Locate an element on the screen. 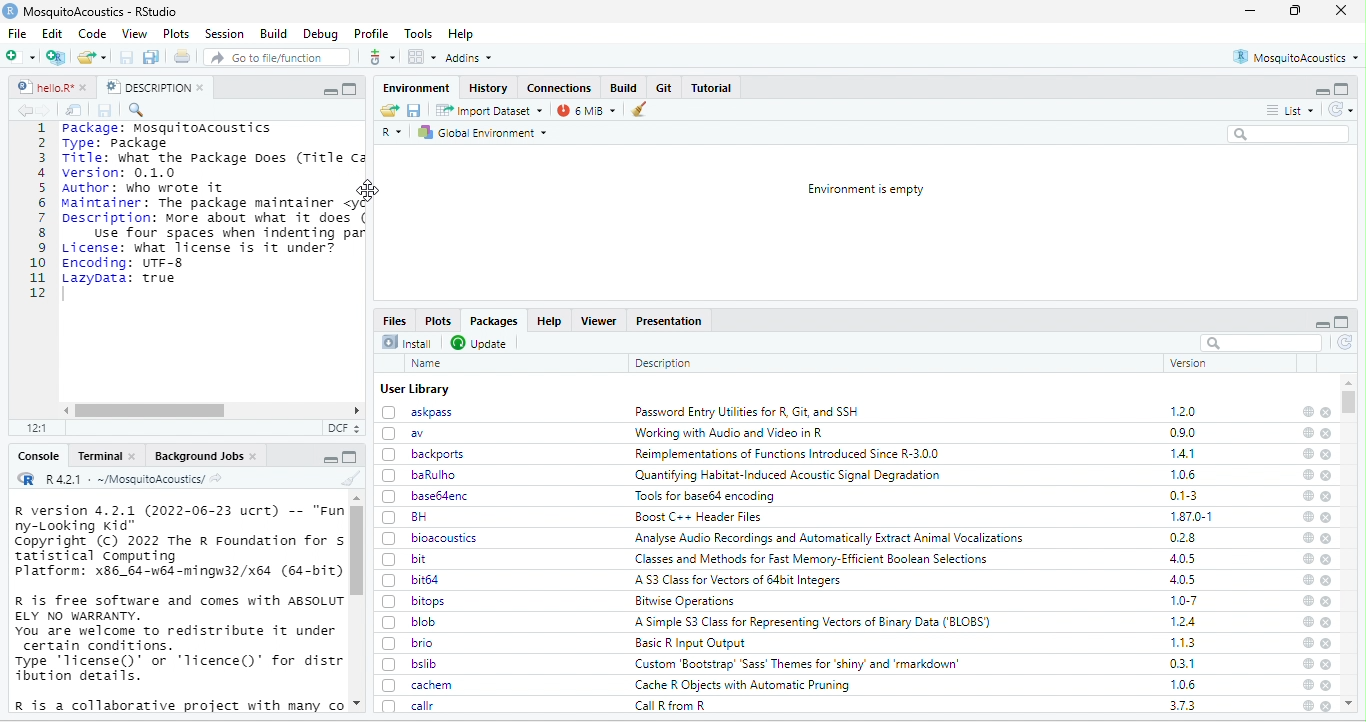  List is located at coordinates (1291, 109).